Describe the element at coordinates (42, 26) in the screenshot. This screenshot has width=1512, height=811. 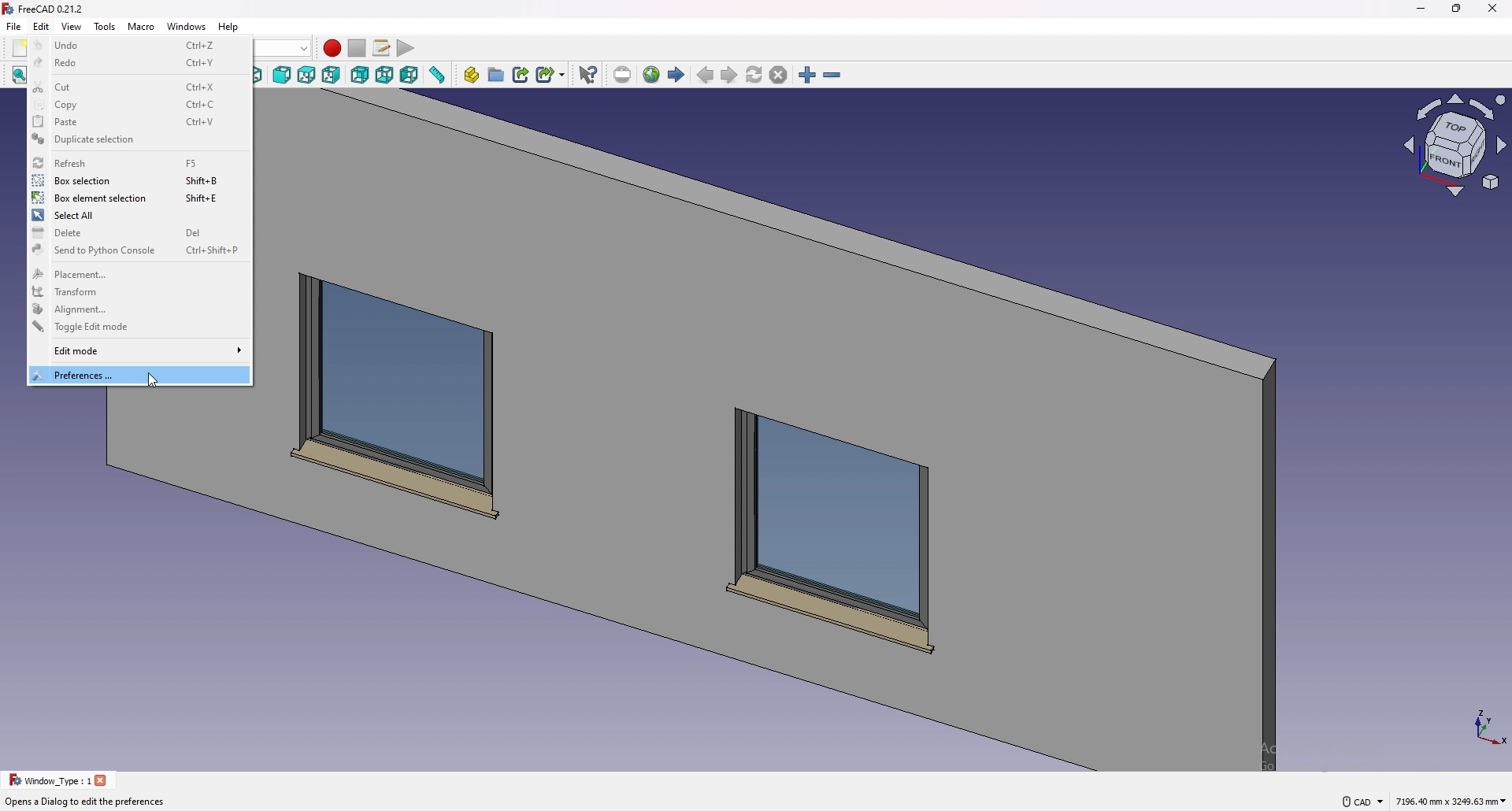
I see `edit` at that location.